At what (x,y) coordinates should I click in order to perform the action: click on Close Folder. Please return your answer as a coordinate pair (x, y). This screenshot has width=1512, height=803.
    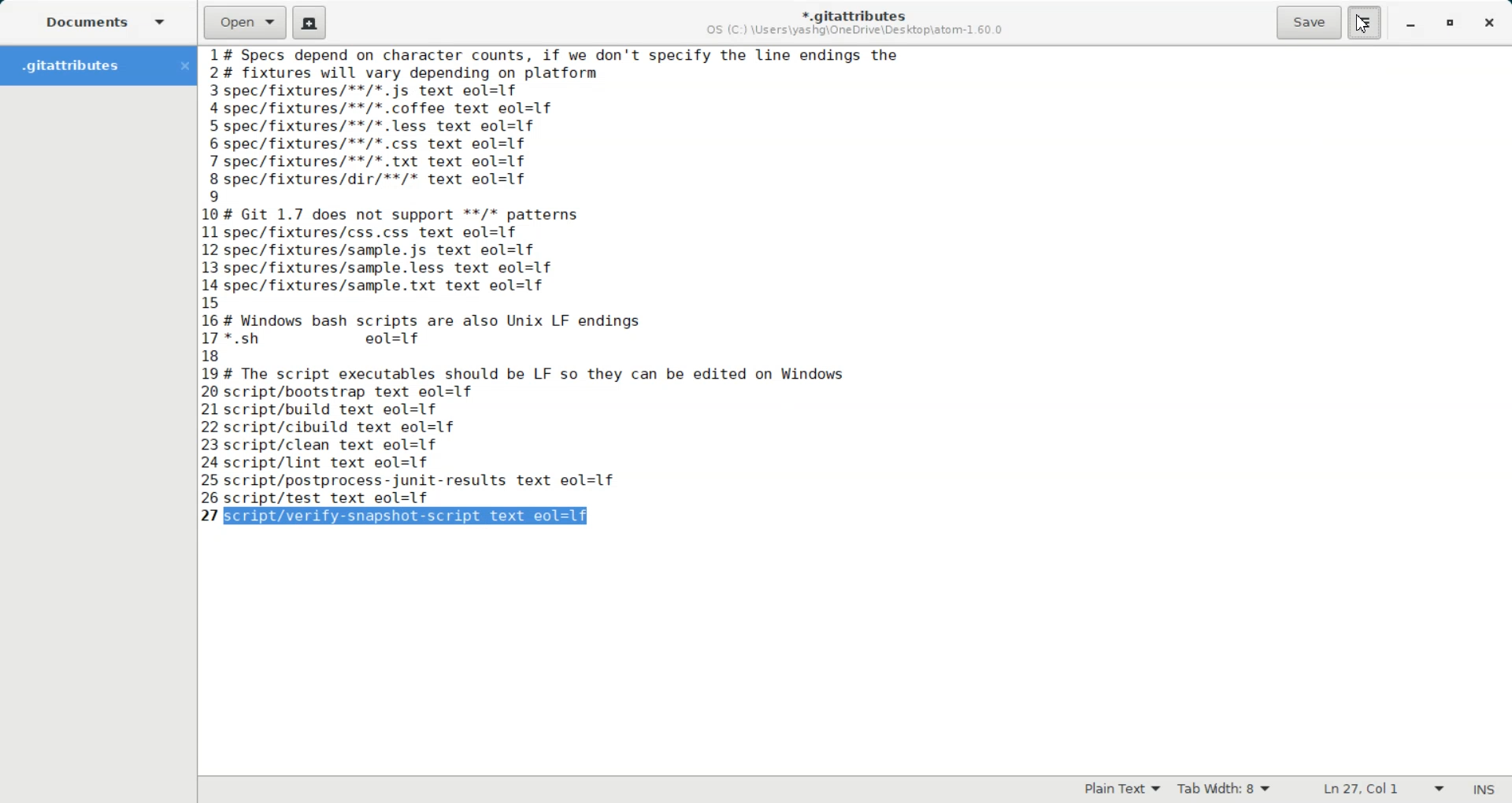
    Looking at the image, I should click on (183, 66).